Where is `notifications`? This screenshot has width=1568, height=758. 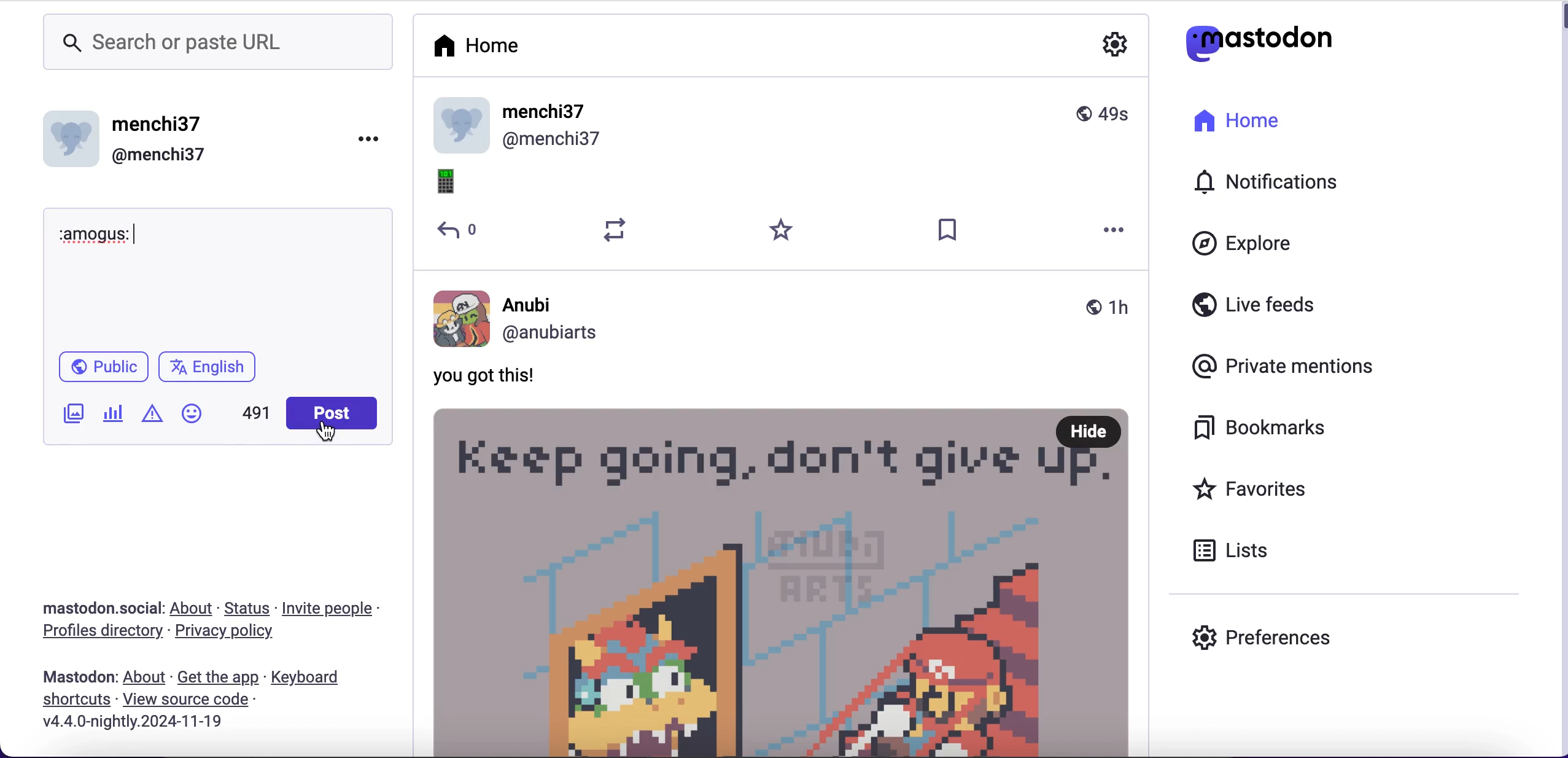 notifications is located at coordinates (1278, 181).